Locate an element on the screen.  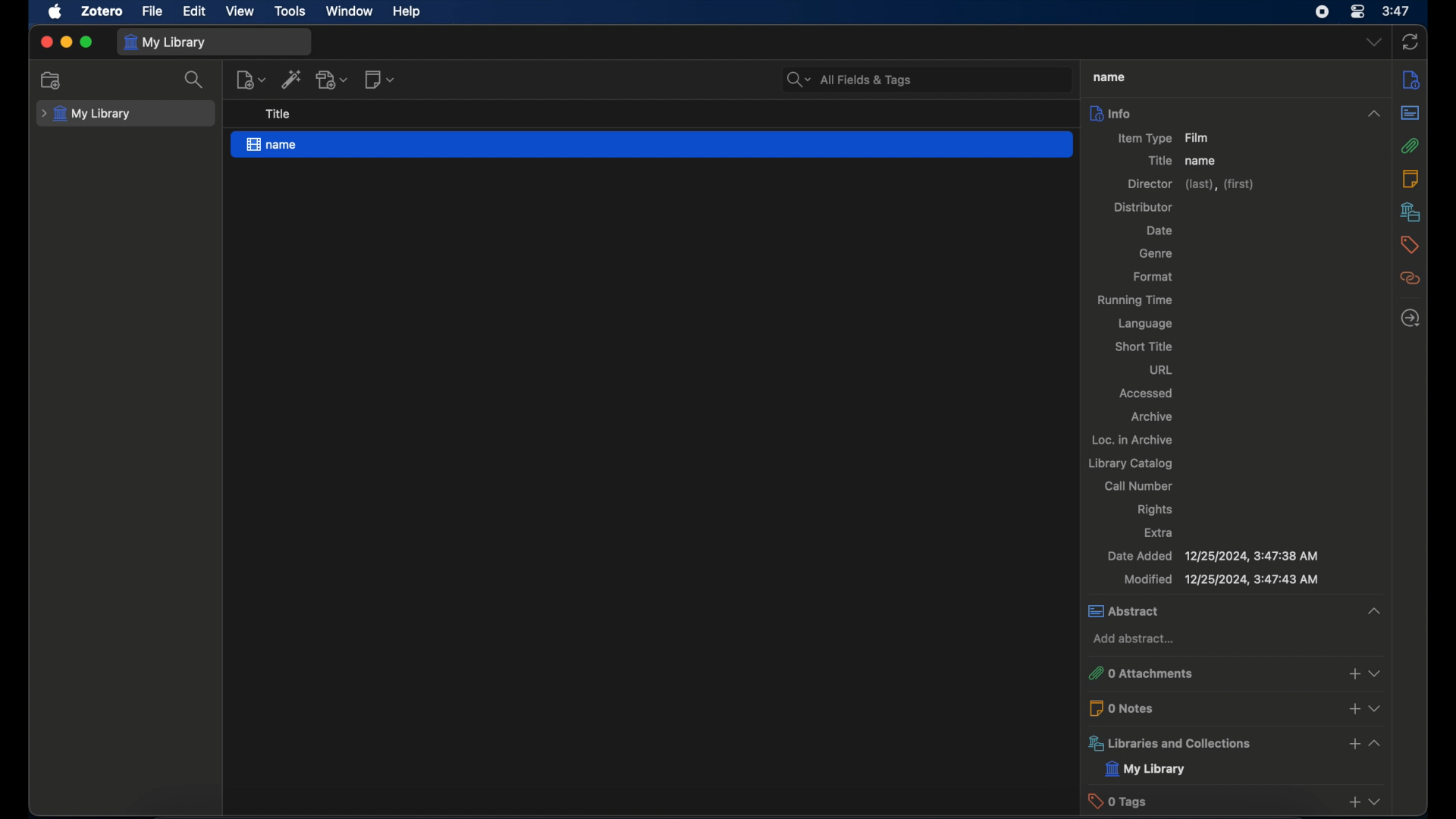
library catalog is located at coordinates (1134, 464).